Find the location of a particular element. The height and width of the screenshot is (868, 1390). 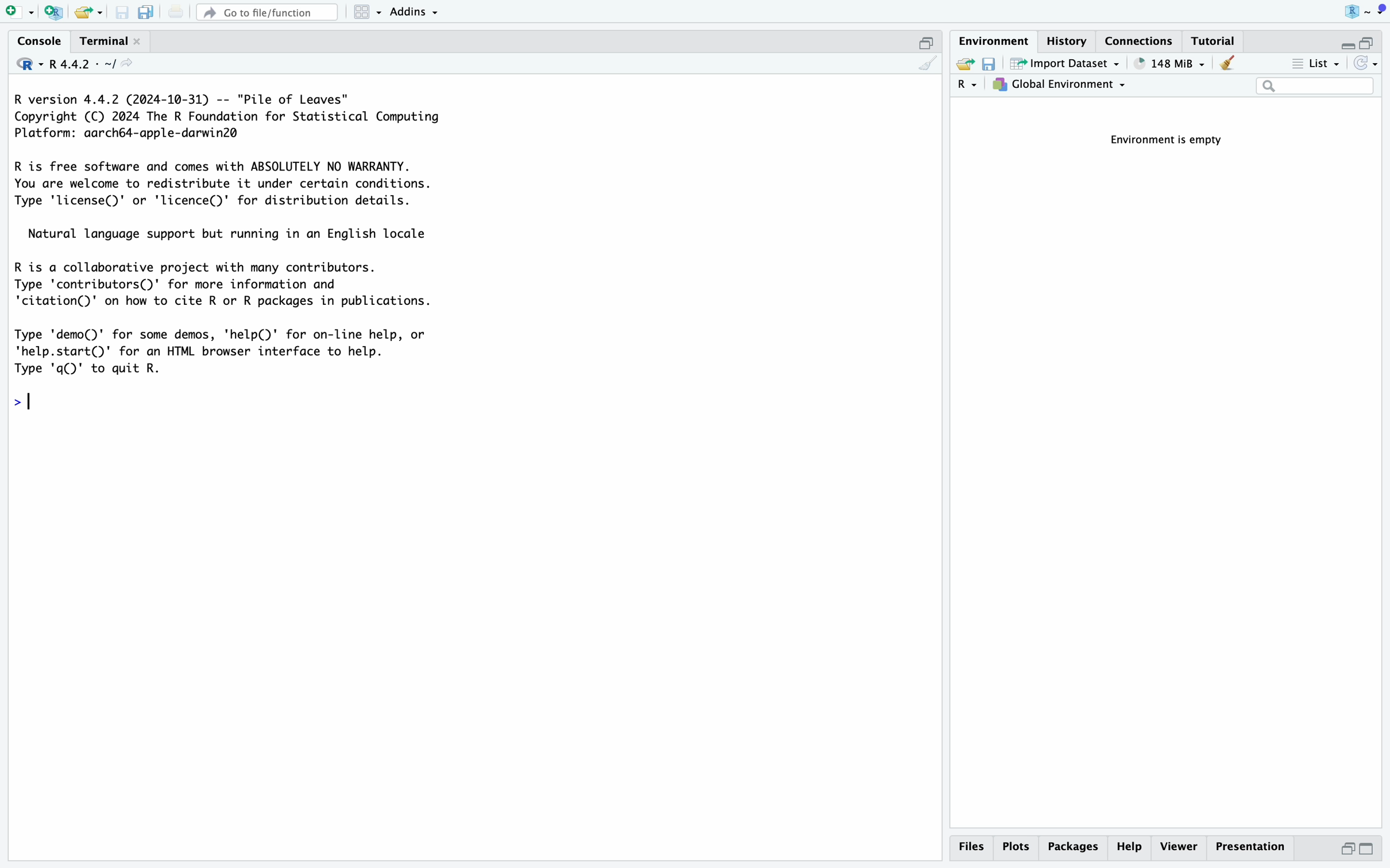

files is located at coordinates (974, 847).